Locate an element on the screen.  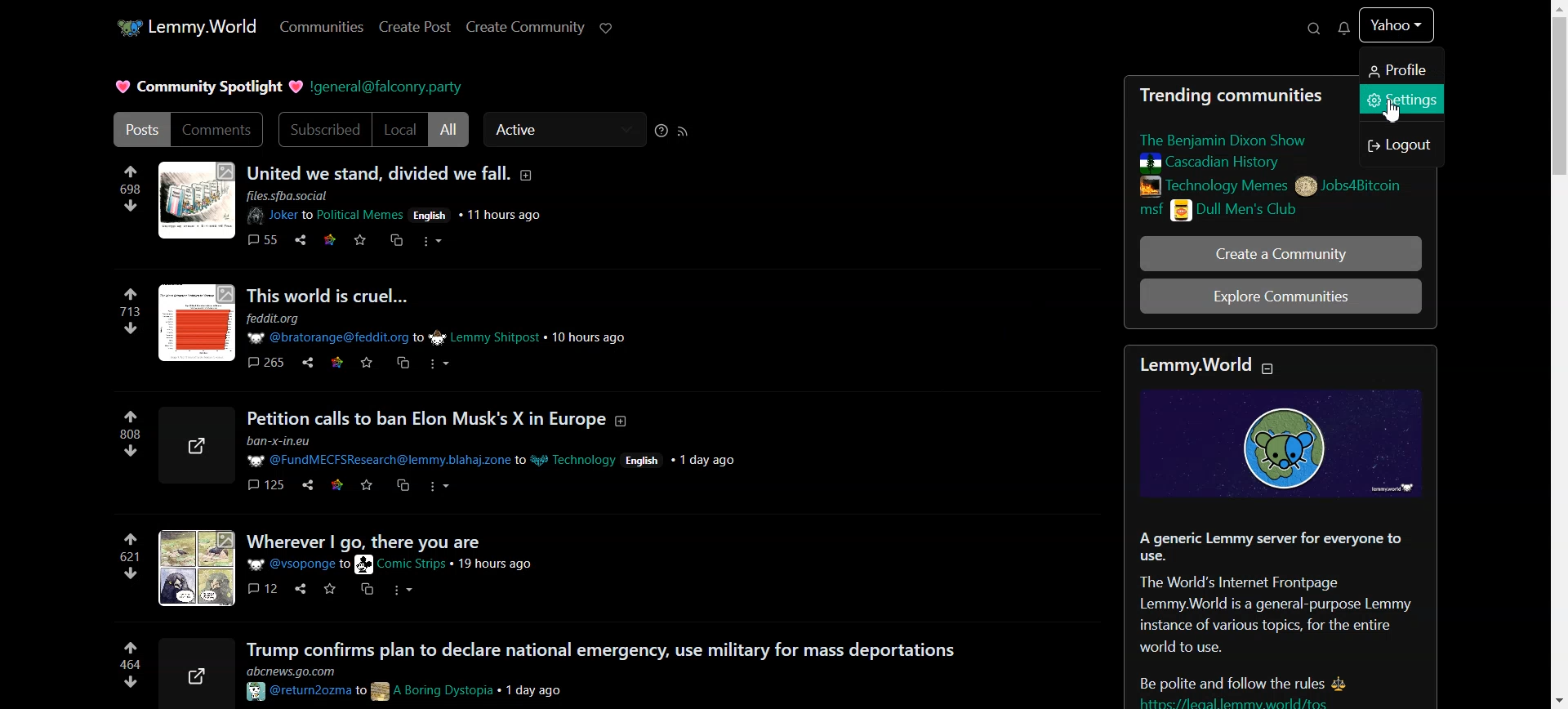
user id is located at coordinates (342, 565).